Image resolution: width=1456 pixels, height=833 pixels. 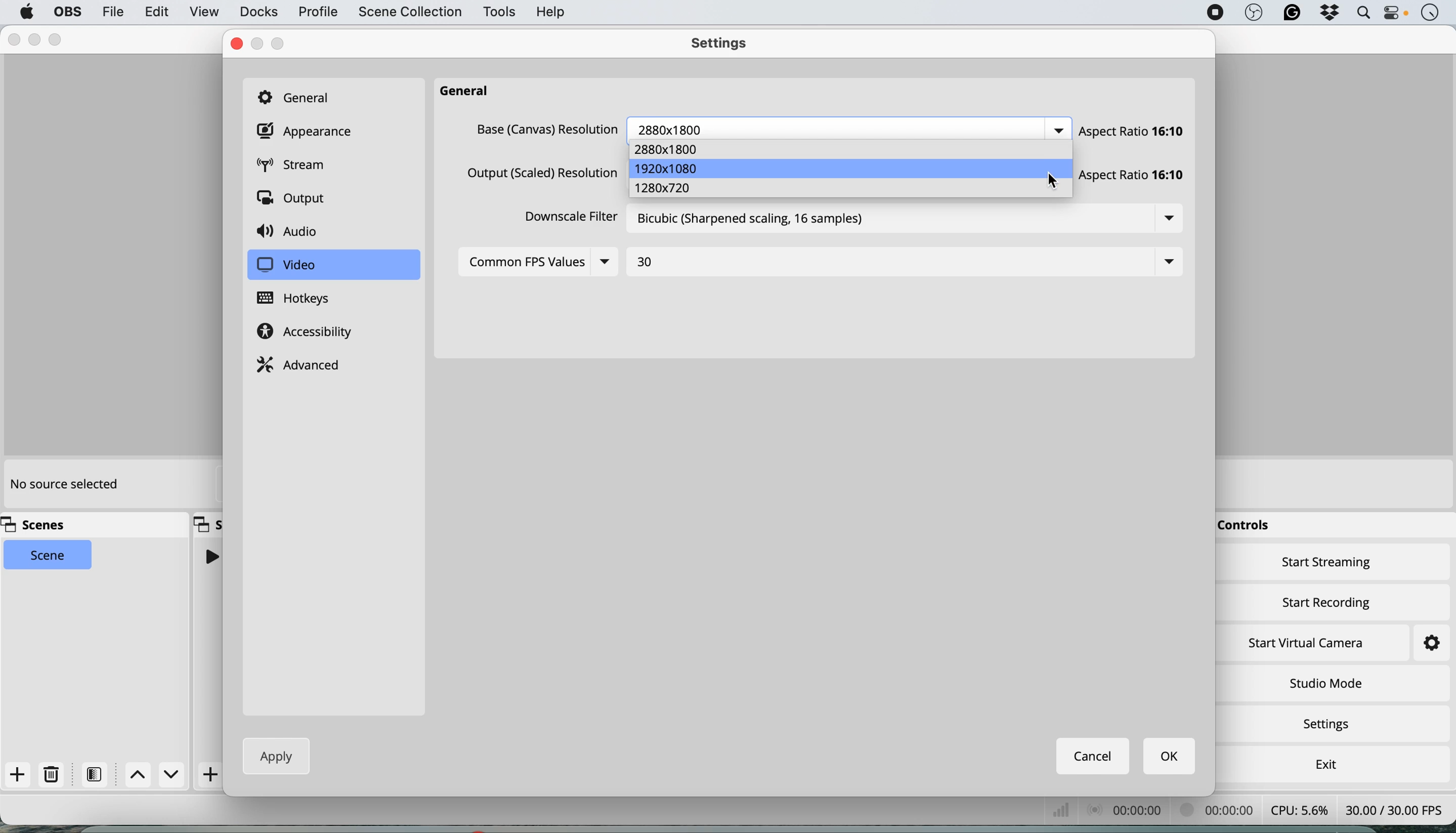 What do you see at coordinates (1171, 757) in the screenshot?
I see `ok` at bounding box center [1171, 757].